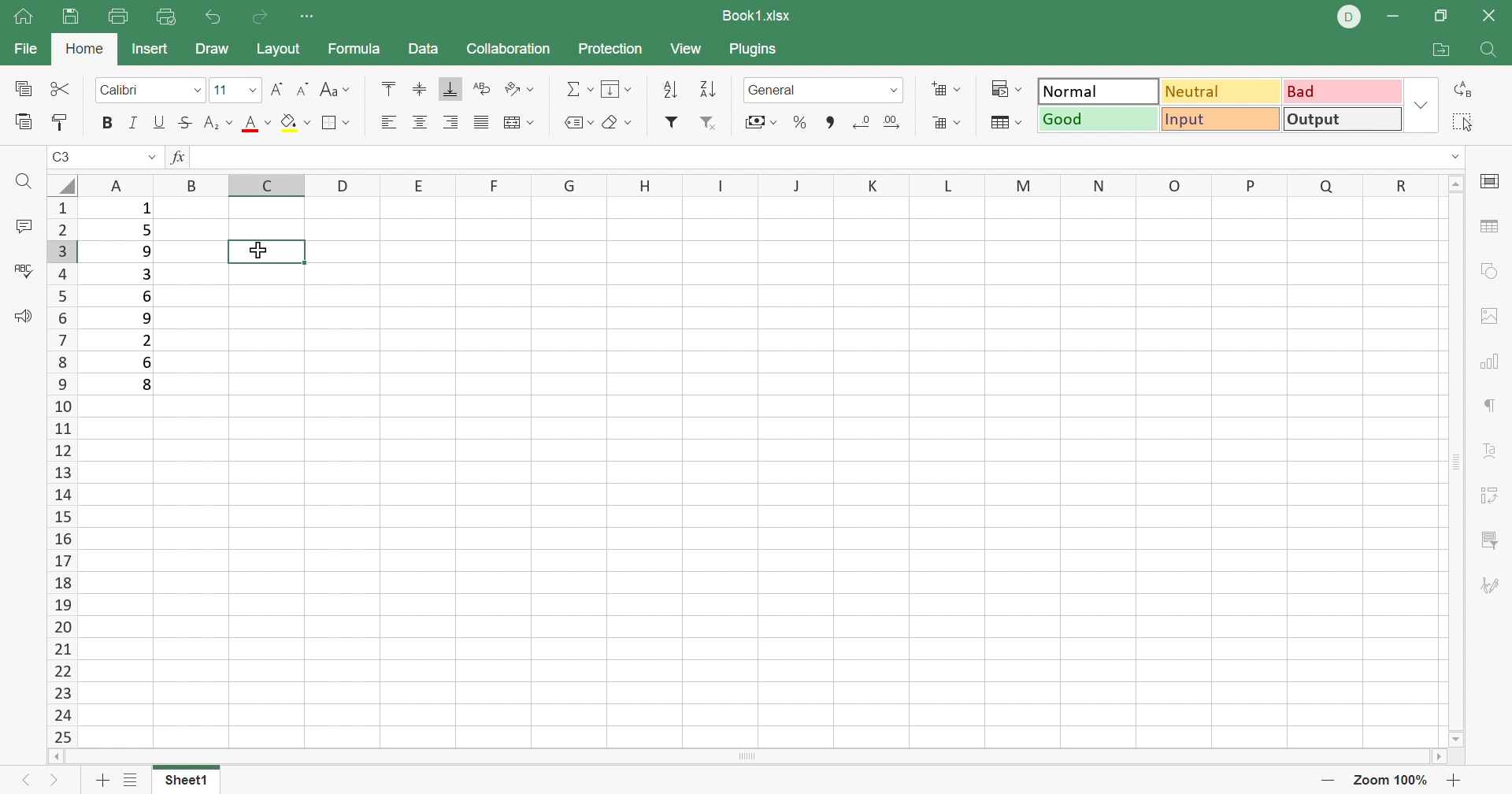 This screenshot has height=794, width=1512. Describe the element at coordinates (417, 89) in the screenshot. I see `Align Middle` at that location.